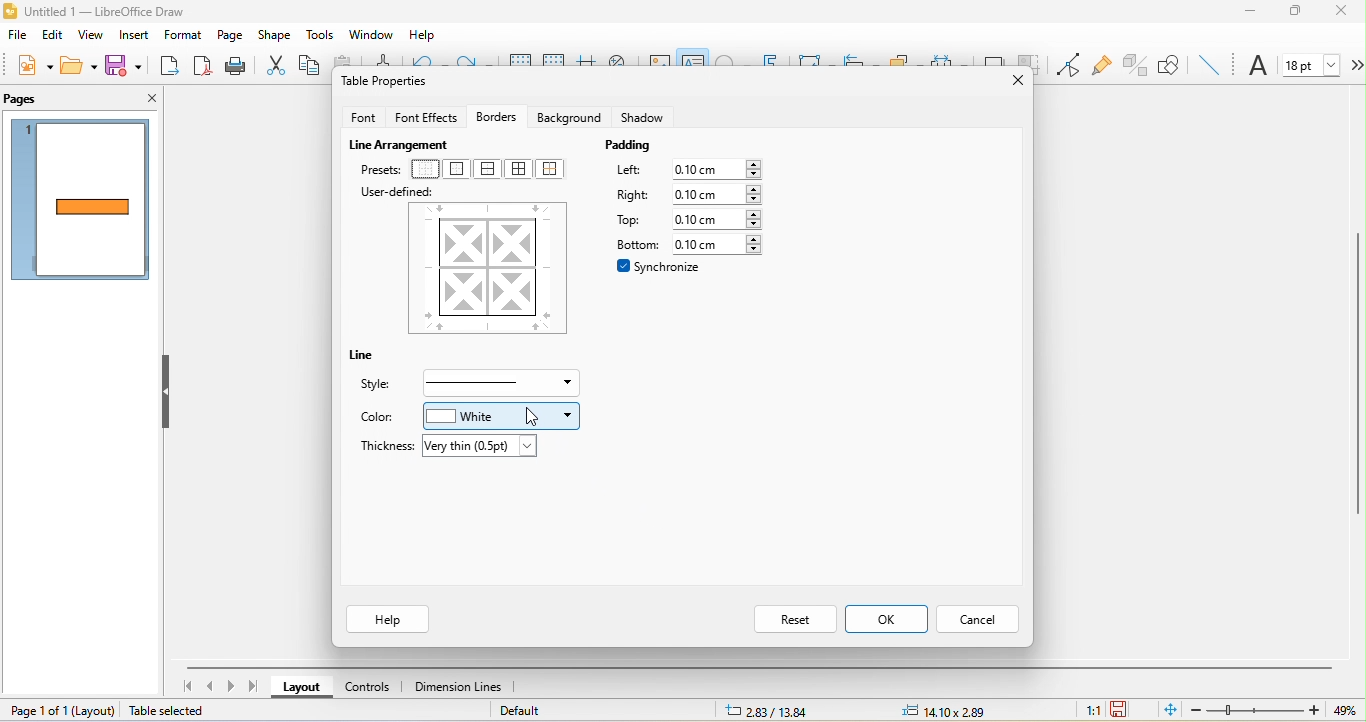 The width and height of the screenshot is (1366, 722). I want to click on font effects, so click(427, 116).